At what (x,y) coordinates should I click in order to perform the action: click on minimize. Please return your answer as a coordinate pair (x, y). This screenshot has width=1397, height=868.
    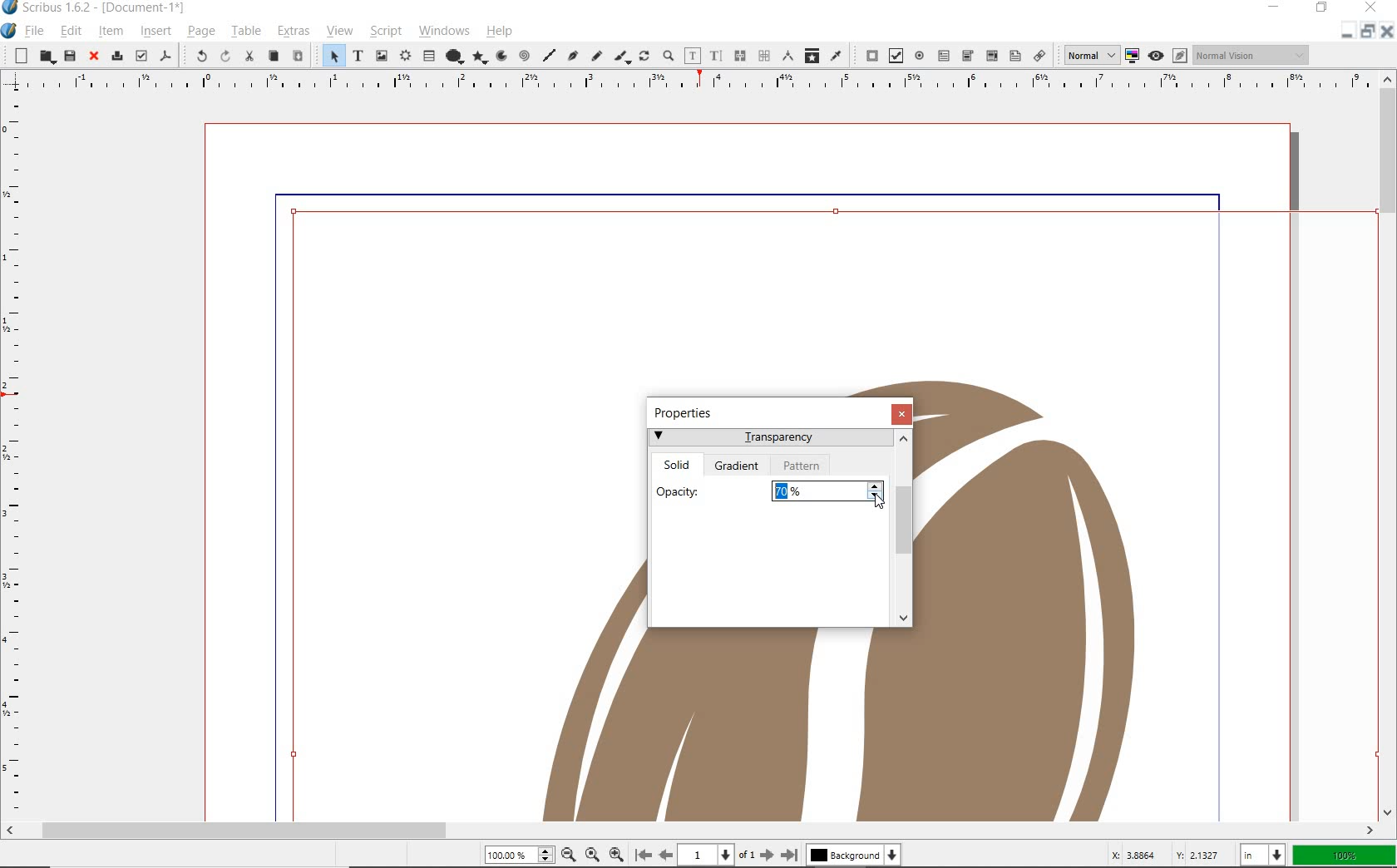
    Looking at the image, I should click on (1278, 7).